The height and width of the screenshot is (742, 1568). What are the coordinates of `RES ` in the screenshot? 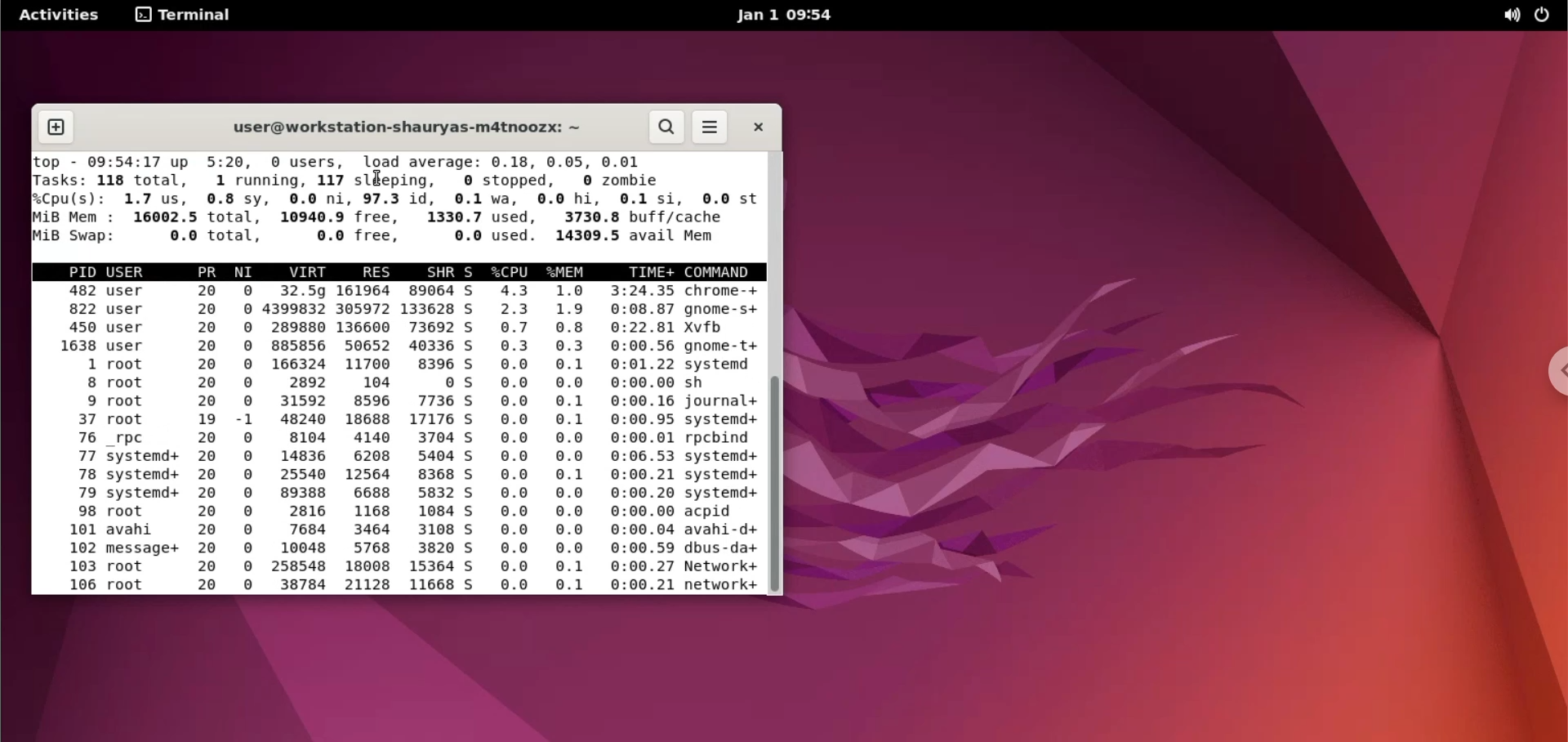 It's located at (367, 440).